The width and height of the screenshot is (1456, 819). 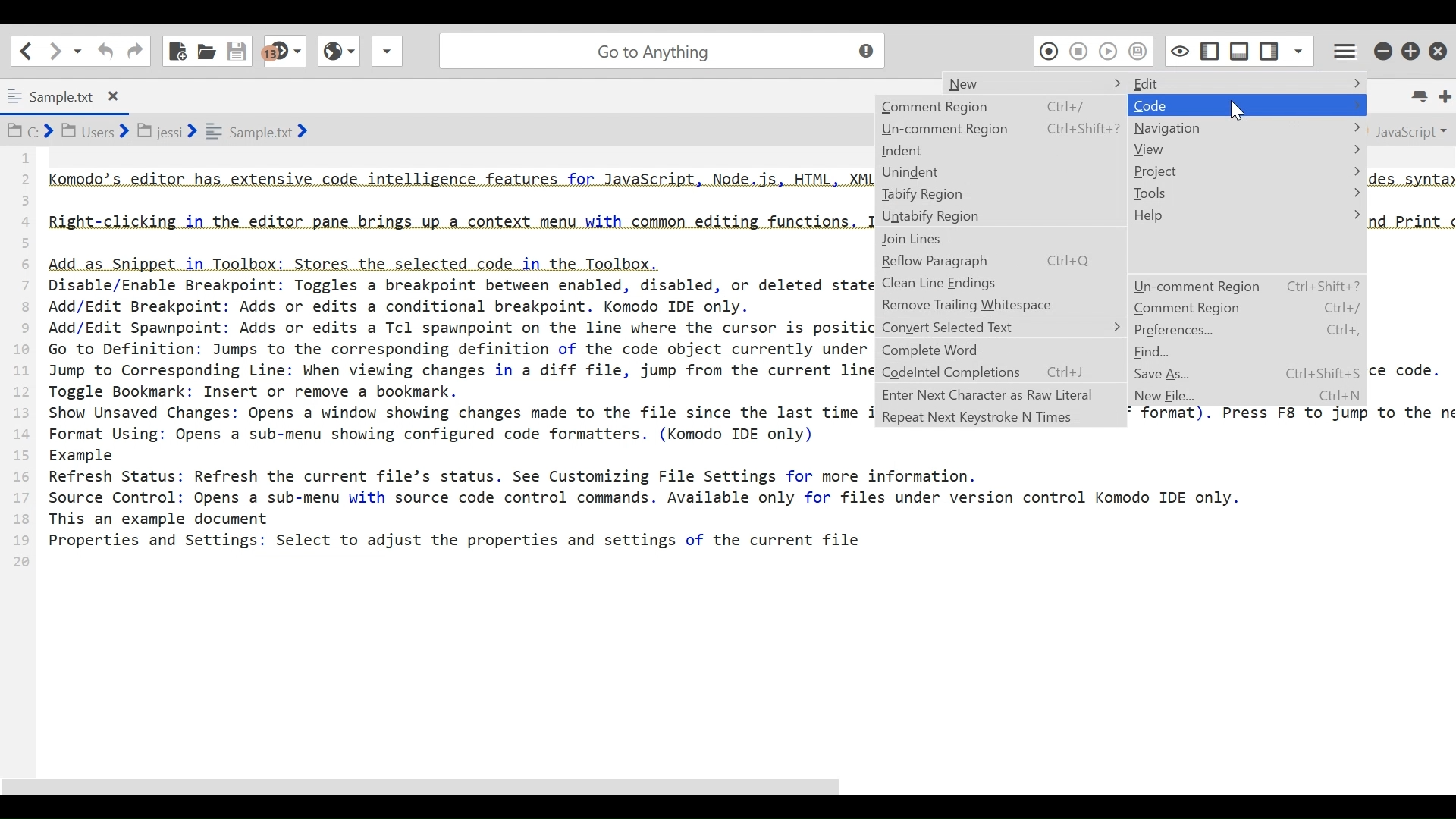 What do you see at coordinates (1245, 331) in the screenshot?
I see `Preferences` at bounding box center [1245, 331].